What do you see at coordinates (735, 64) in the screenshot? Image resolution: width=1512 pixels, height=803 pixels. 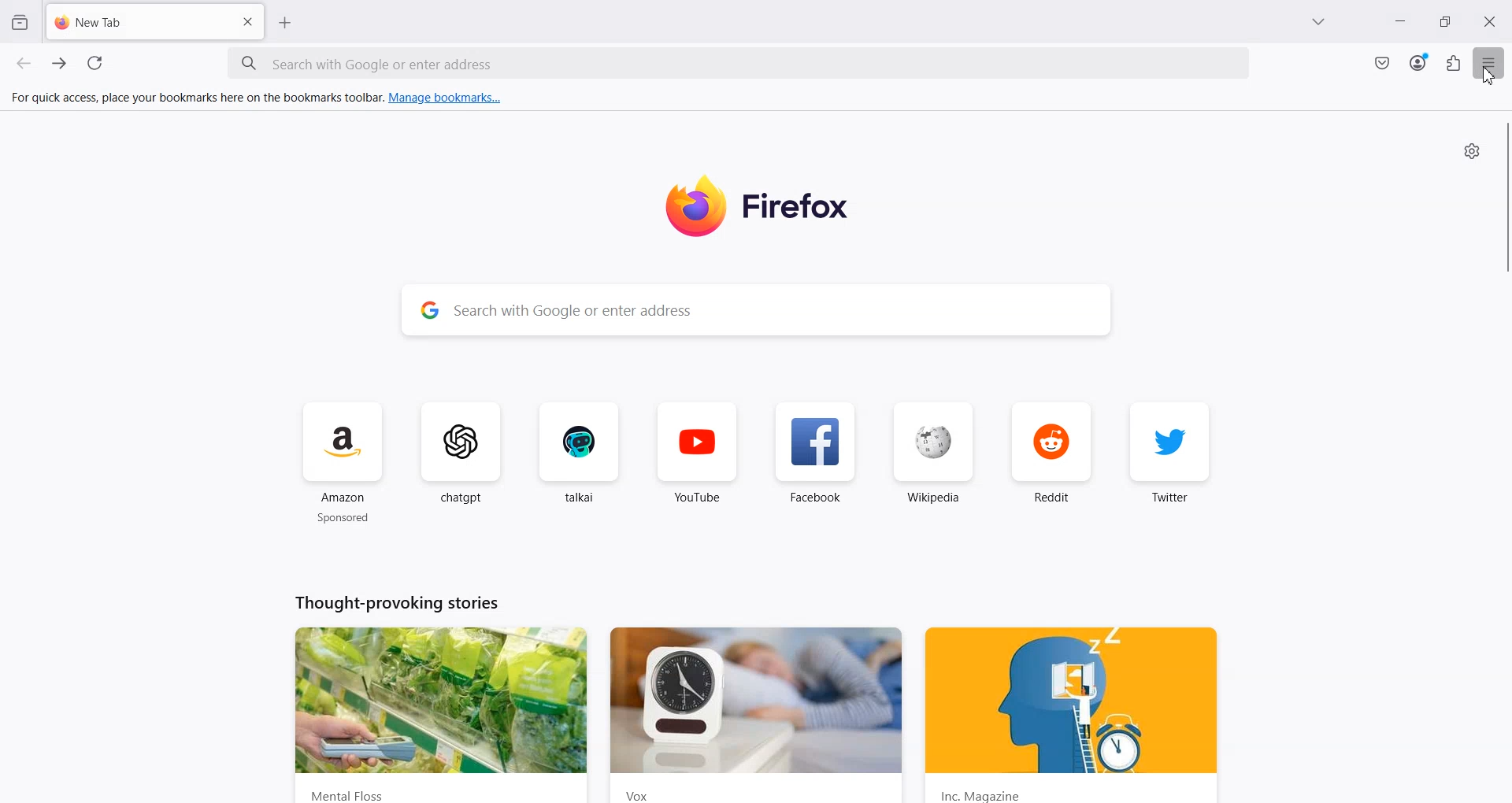 I see `Search bar` at bounding box center [735, 64].